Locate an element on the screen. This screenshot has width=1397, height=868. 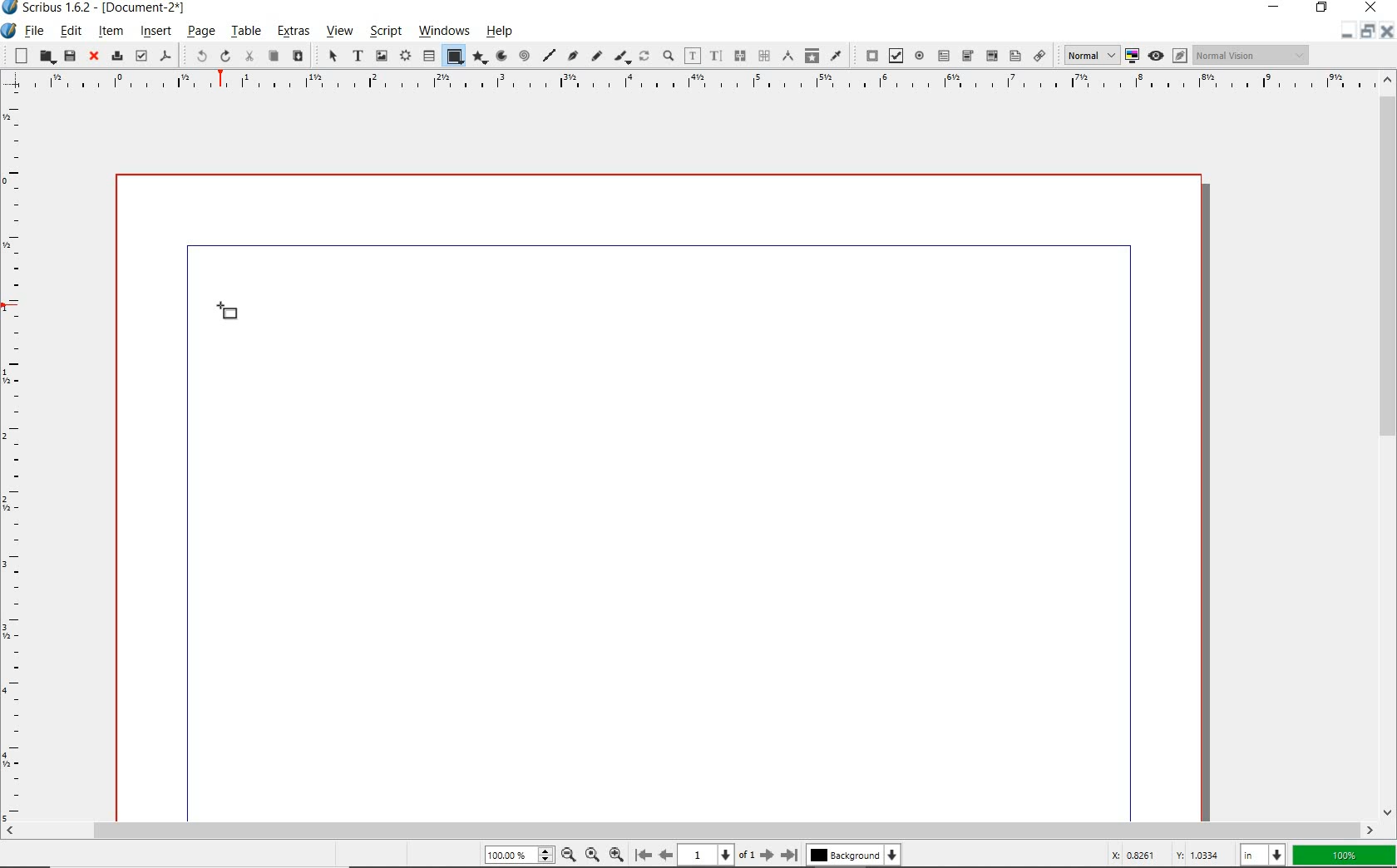
measurements is located at coordinates (763, 57).